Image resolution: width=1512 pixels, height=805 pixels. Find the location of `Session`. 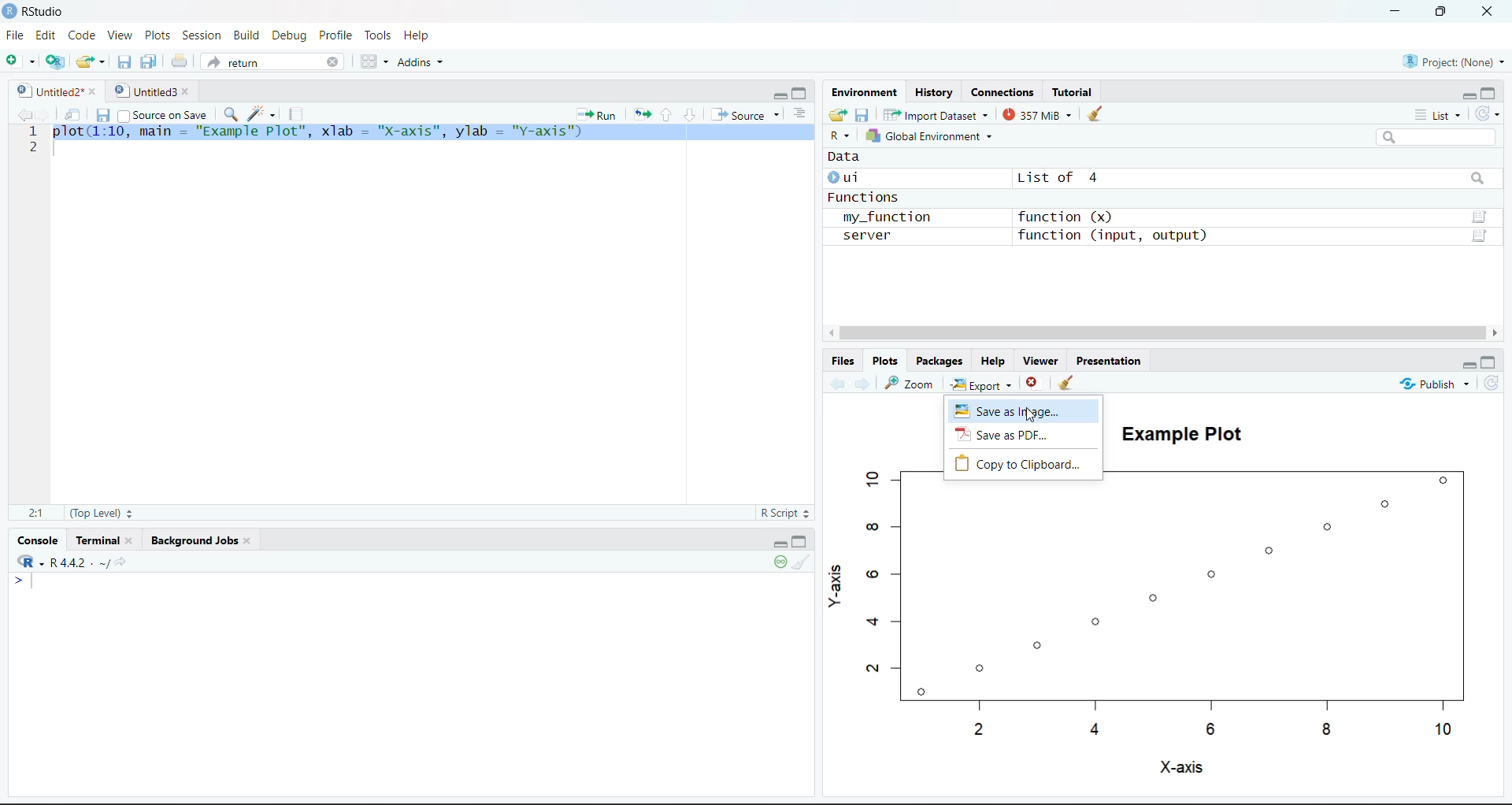

Session is located at coordinates (202, 34).